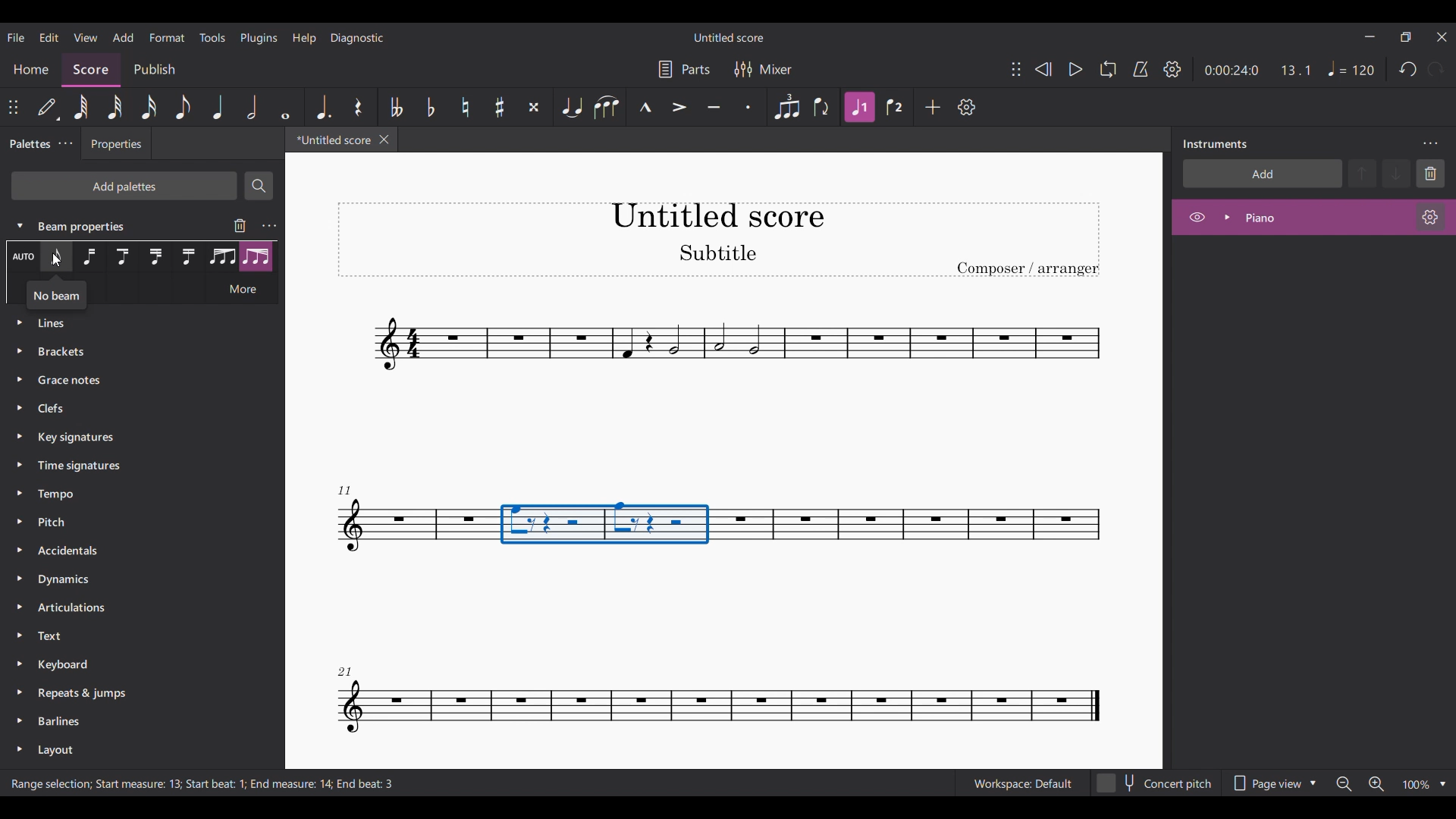 The image size is (1456, 819). Describe the element at coordinates (126, 610) in the screenshot. I see `Articulations` at that location.